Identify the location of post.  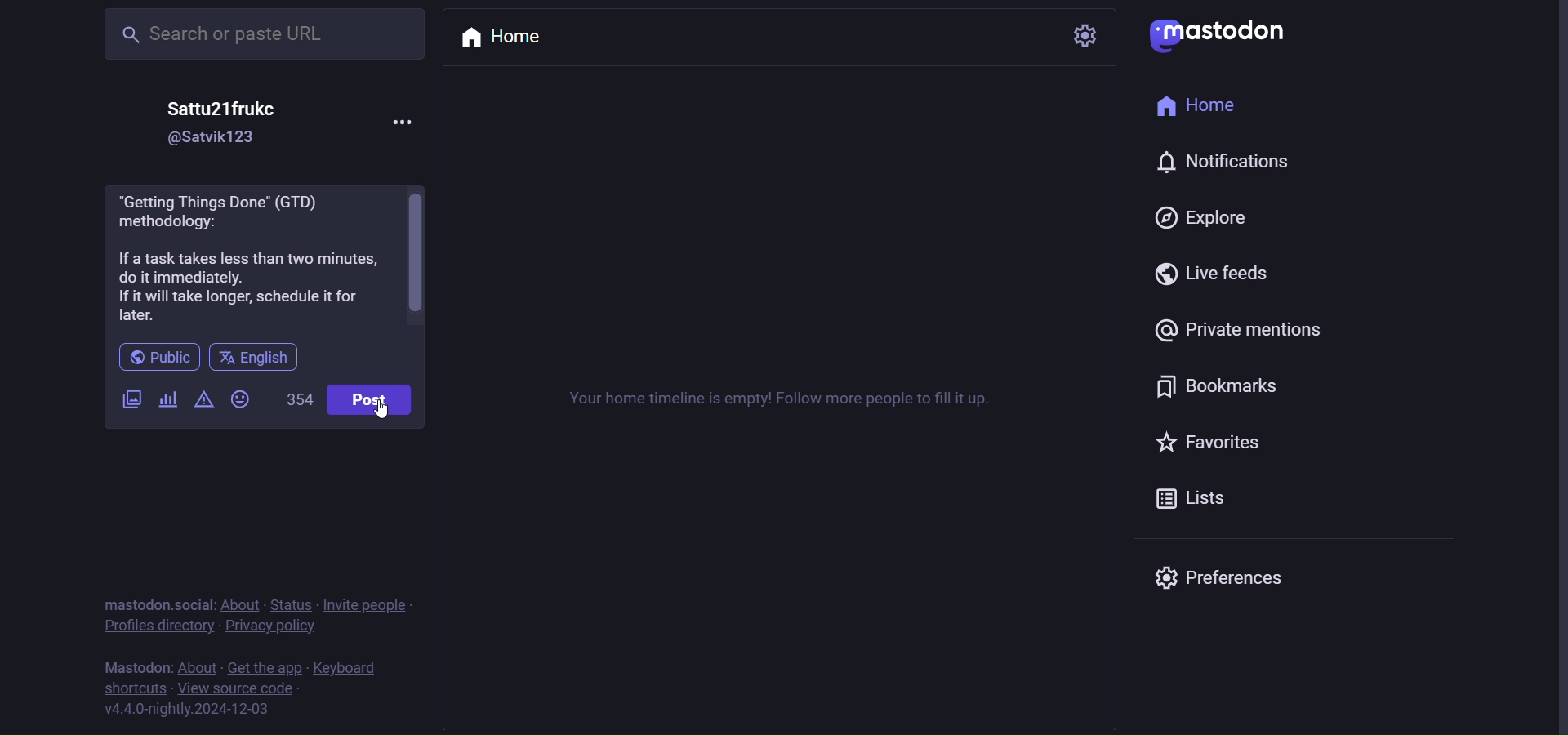
(367, 402).